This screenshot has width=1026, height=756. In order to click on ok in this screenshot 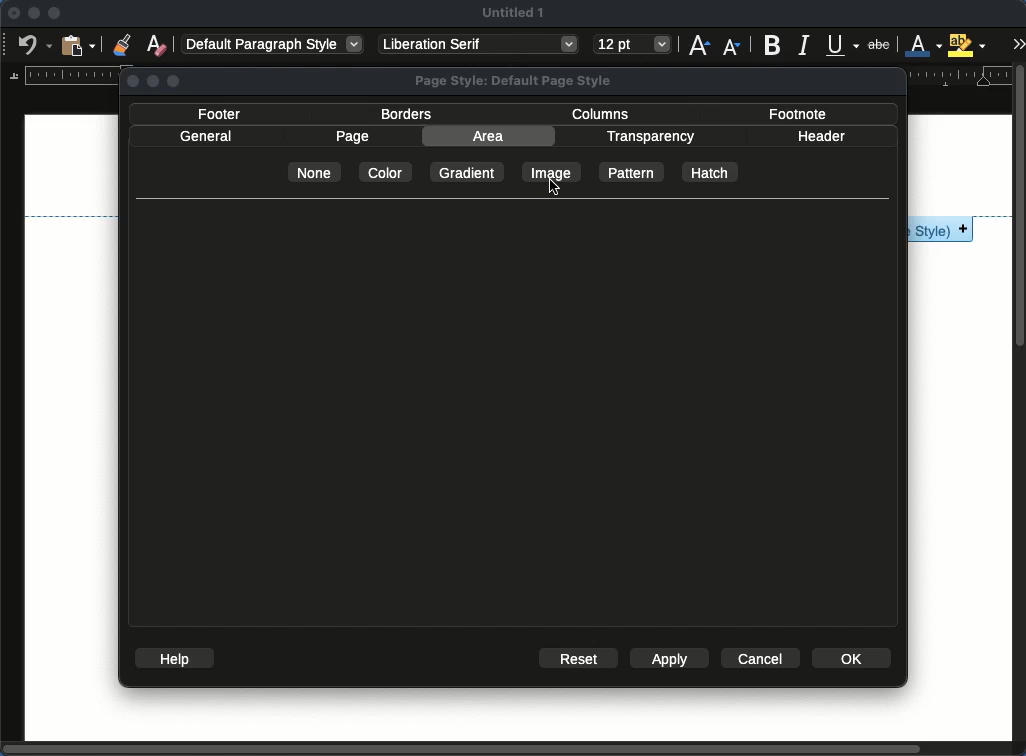, I will do `click(854, 658)`.